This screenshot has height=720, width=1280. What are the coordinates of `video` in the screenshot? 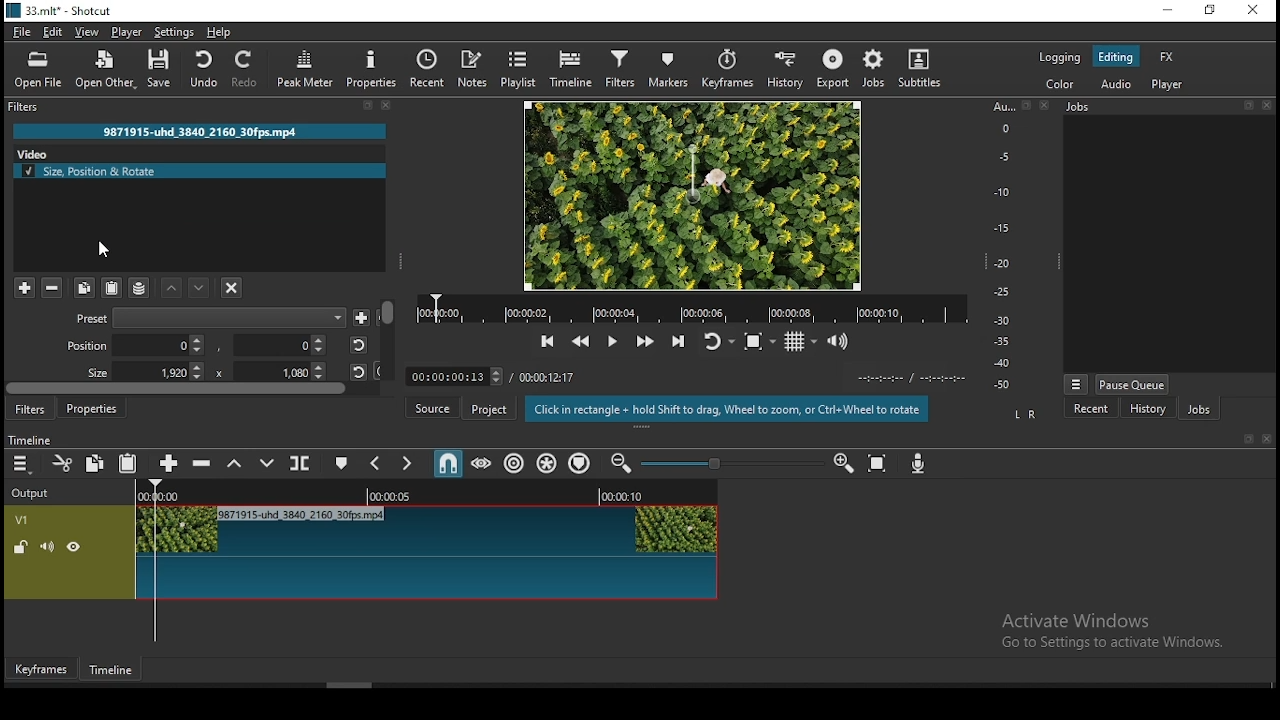 It's located at (36, 154).